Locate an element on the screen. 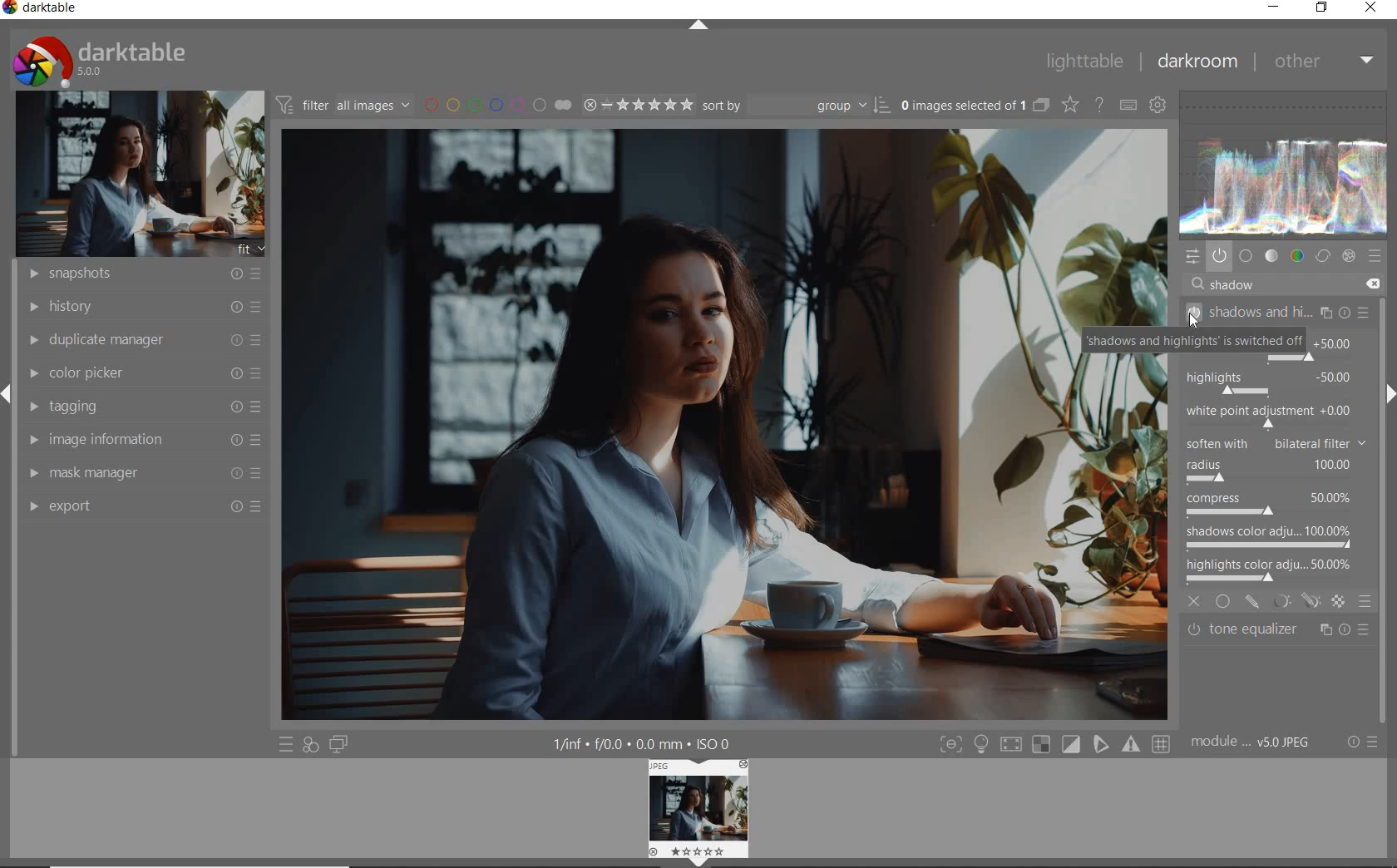 This screenshot has height=868, width=1397. shadow is located at coordinates (1239, 285).